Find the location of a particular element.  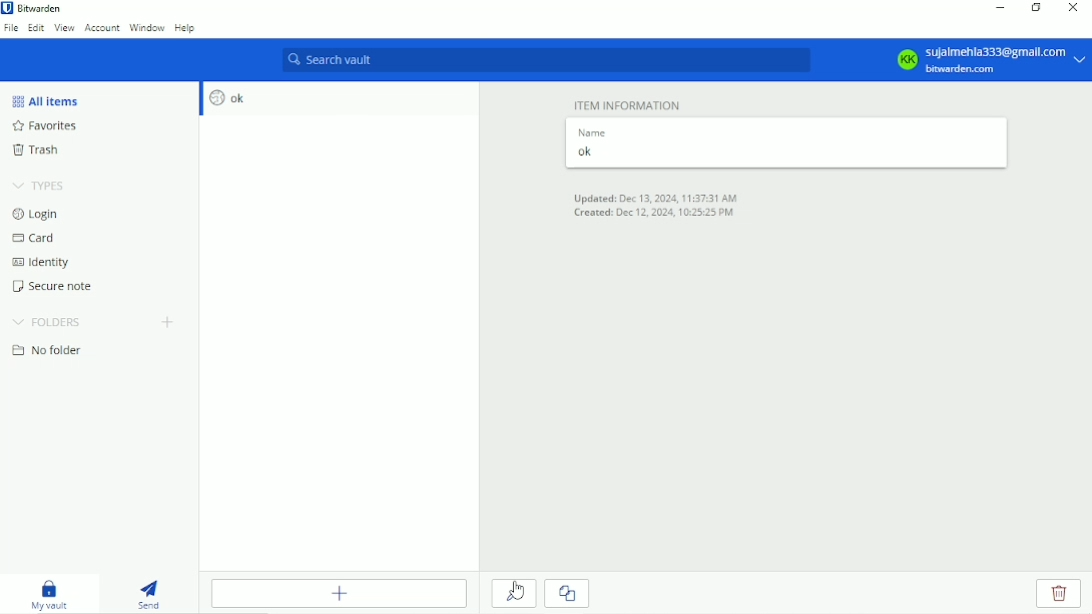

Name is located at coordinates (590, 132).